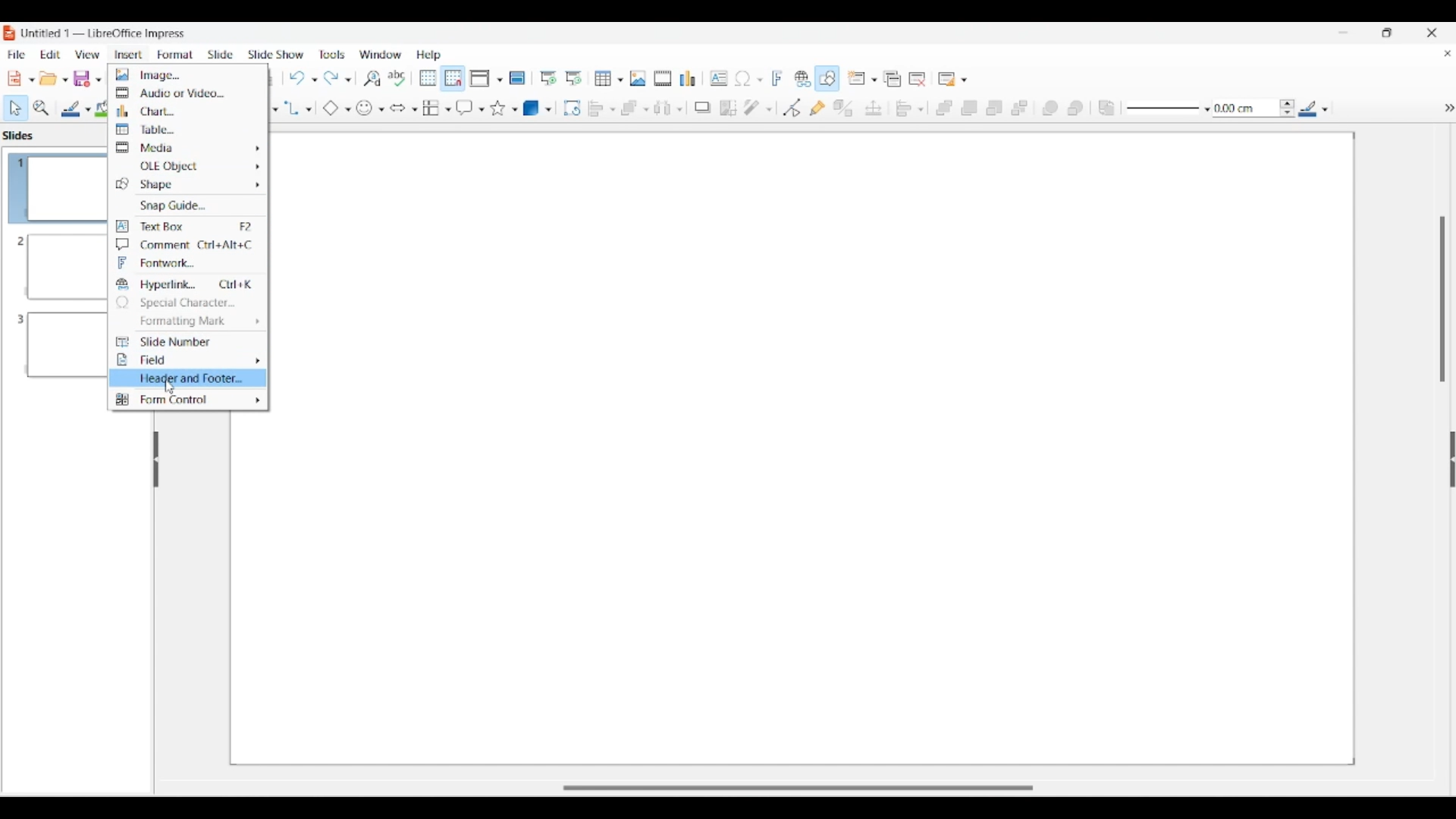 This screenshot has height=819, width=1456. What do you see at coordinates (187, 206) in the screenshot?
I see `Snap guide` at bounding box center [187, 206].